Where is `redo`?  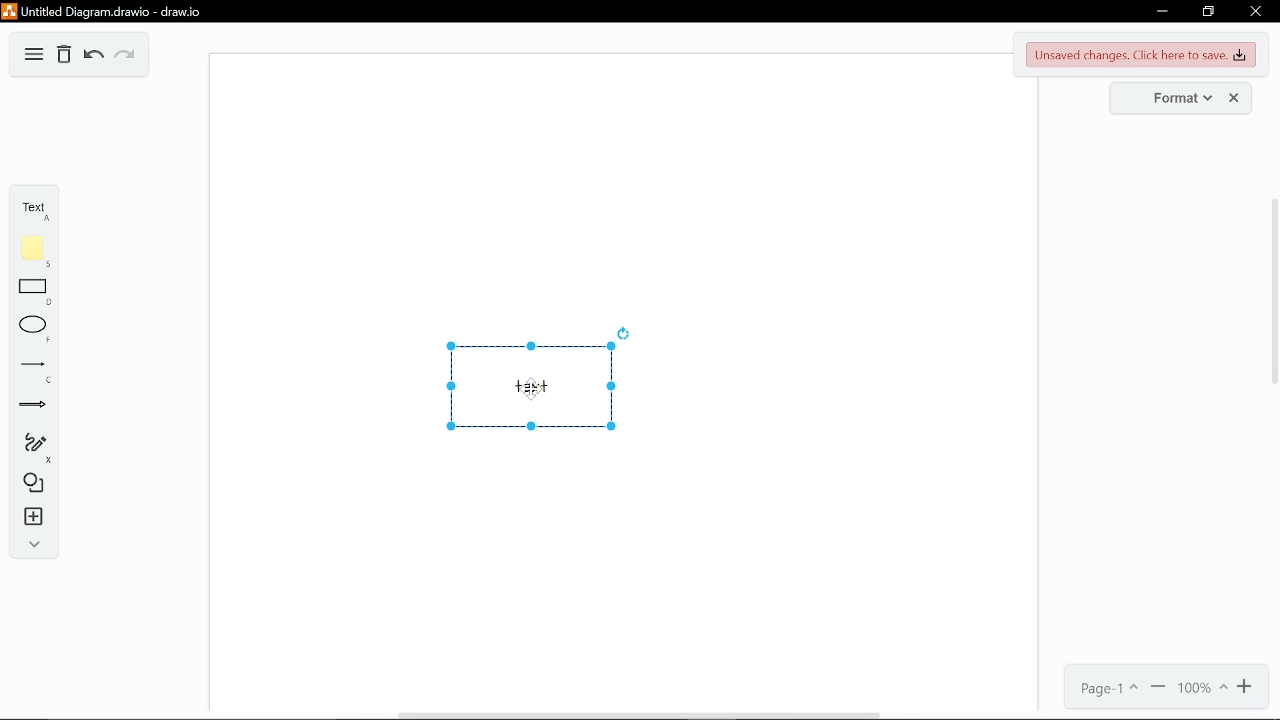 redo is located at coordinates (127, 56).